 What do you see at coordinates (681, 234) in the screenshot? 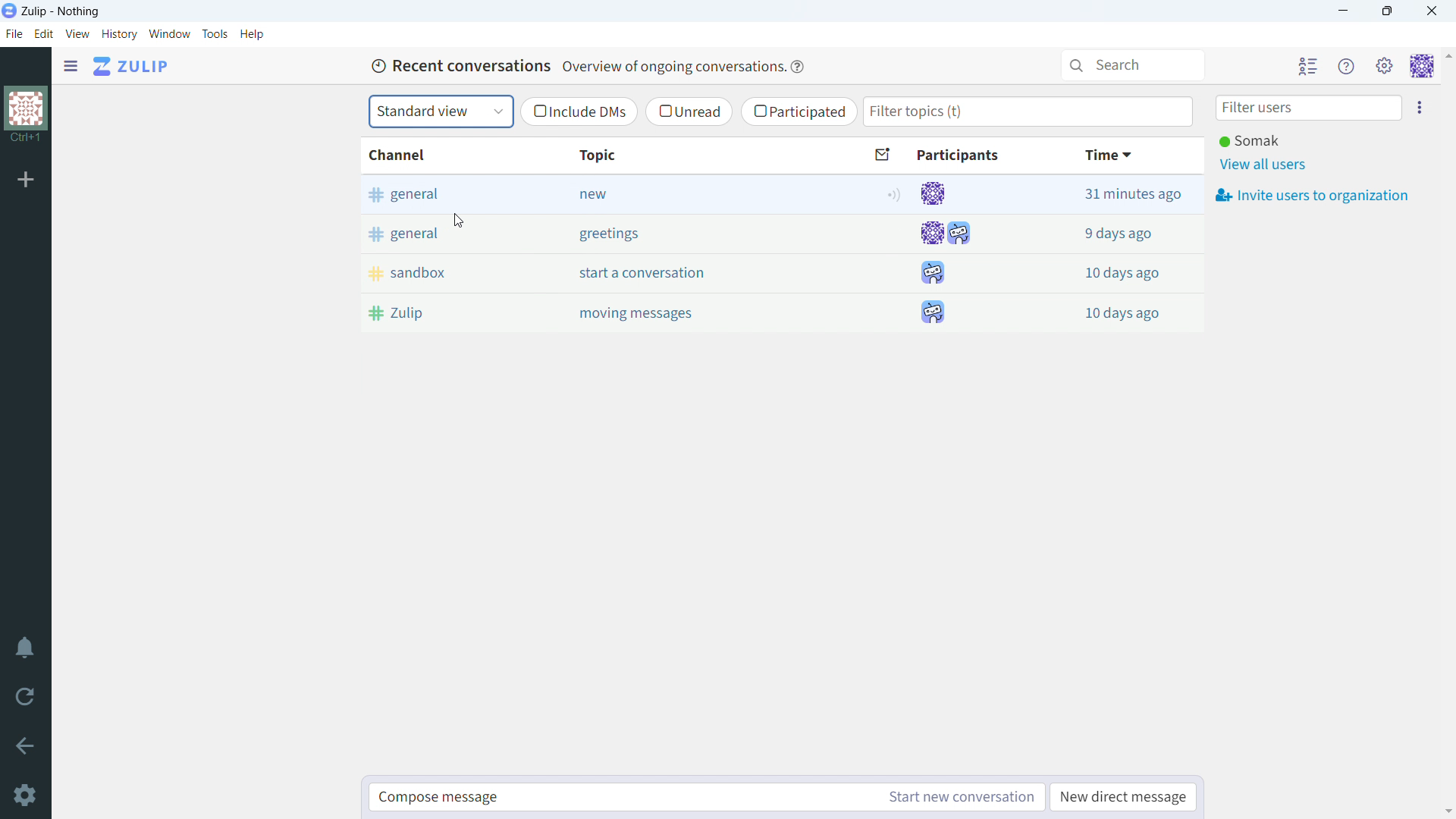
I see `greetings` at bounding box center [681, 234].